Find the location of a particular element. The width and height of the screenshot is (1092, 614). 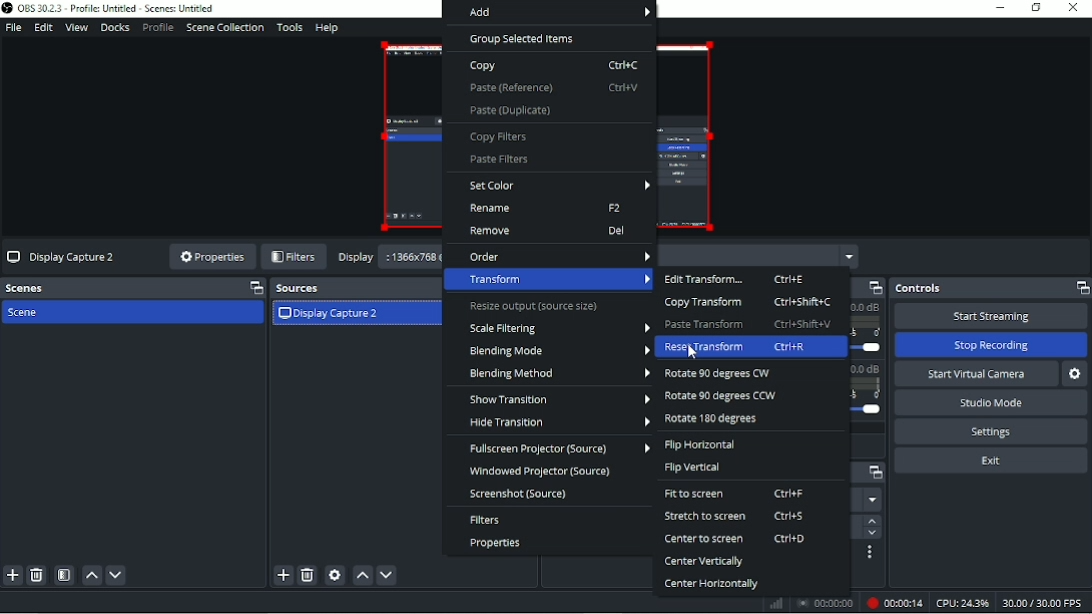

Open source properties is located at coordinates (335, 575).